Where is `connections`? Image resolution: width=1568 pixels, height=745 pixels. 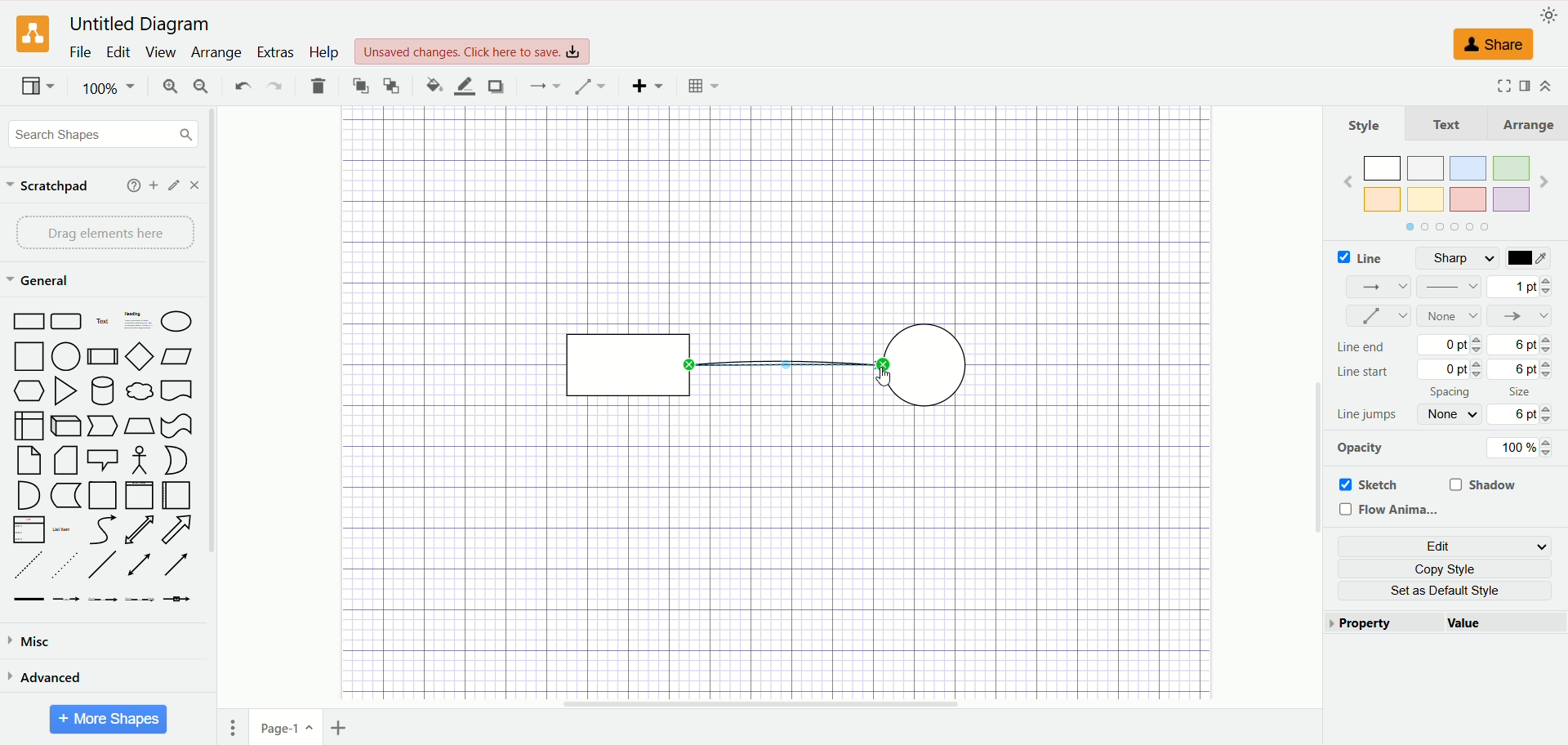
connections is located at coordinates (1384, 287).